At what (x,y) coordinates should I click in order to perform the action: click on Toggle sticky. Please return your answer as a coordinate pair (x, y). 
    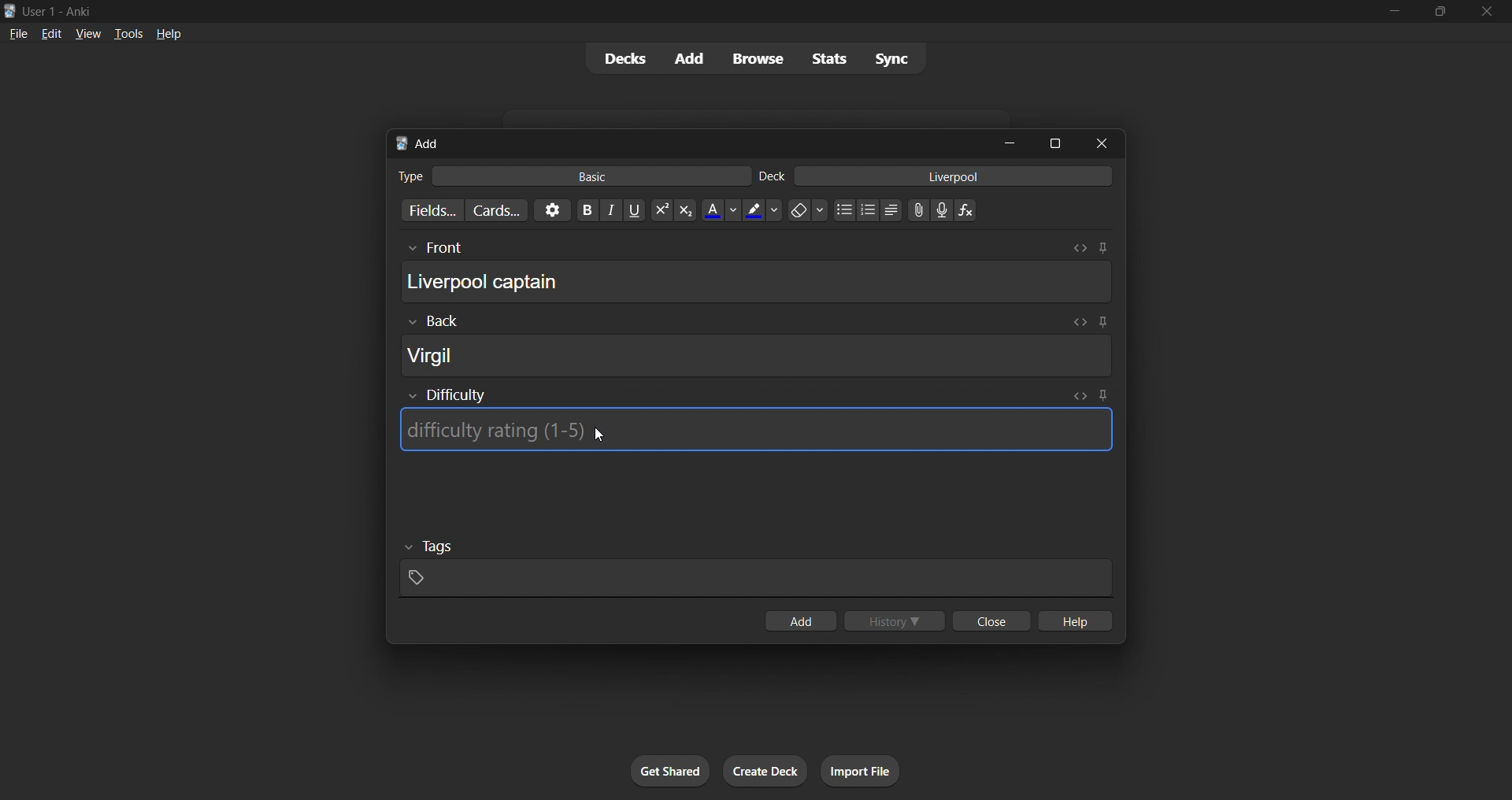
    Looking at the image, I should click on (1100, 324).